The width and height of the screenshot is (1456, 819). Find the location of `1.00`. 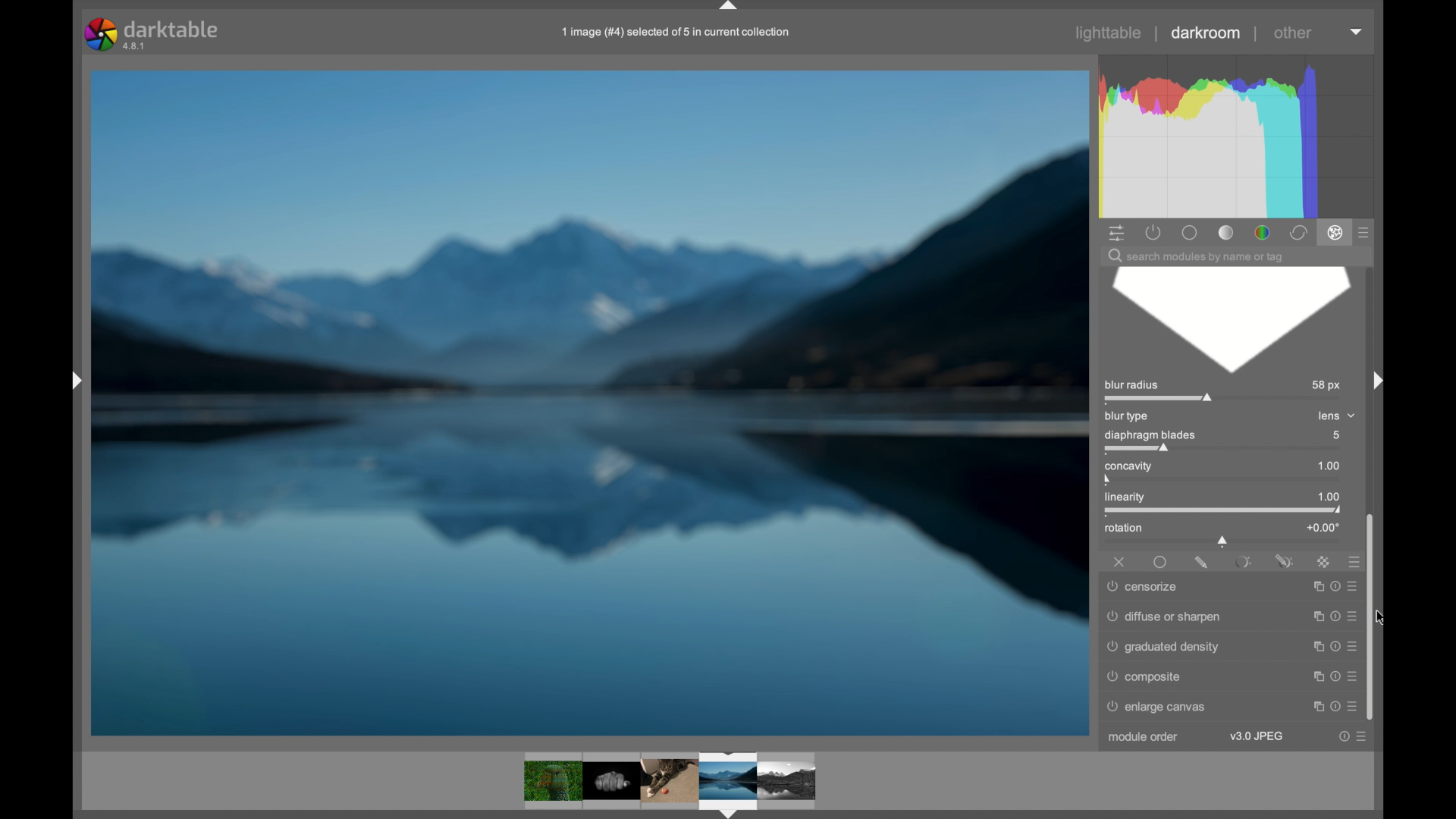

1.00 is located at coordinates (1322, 466).